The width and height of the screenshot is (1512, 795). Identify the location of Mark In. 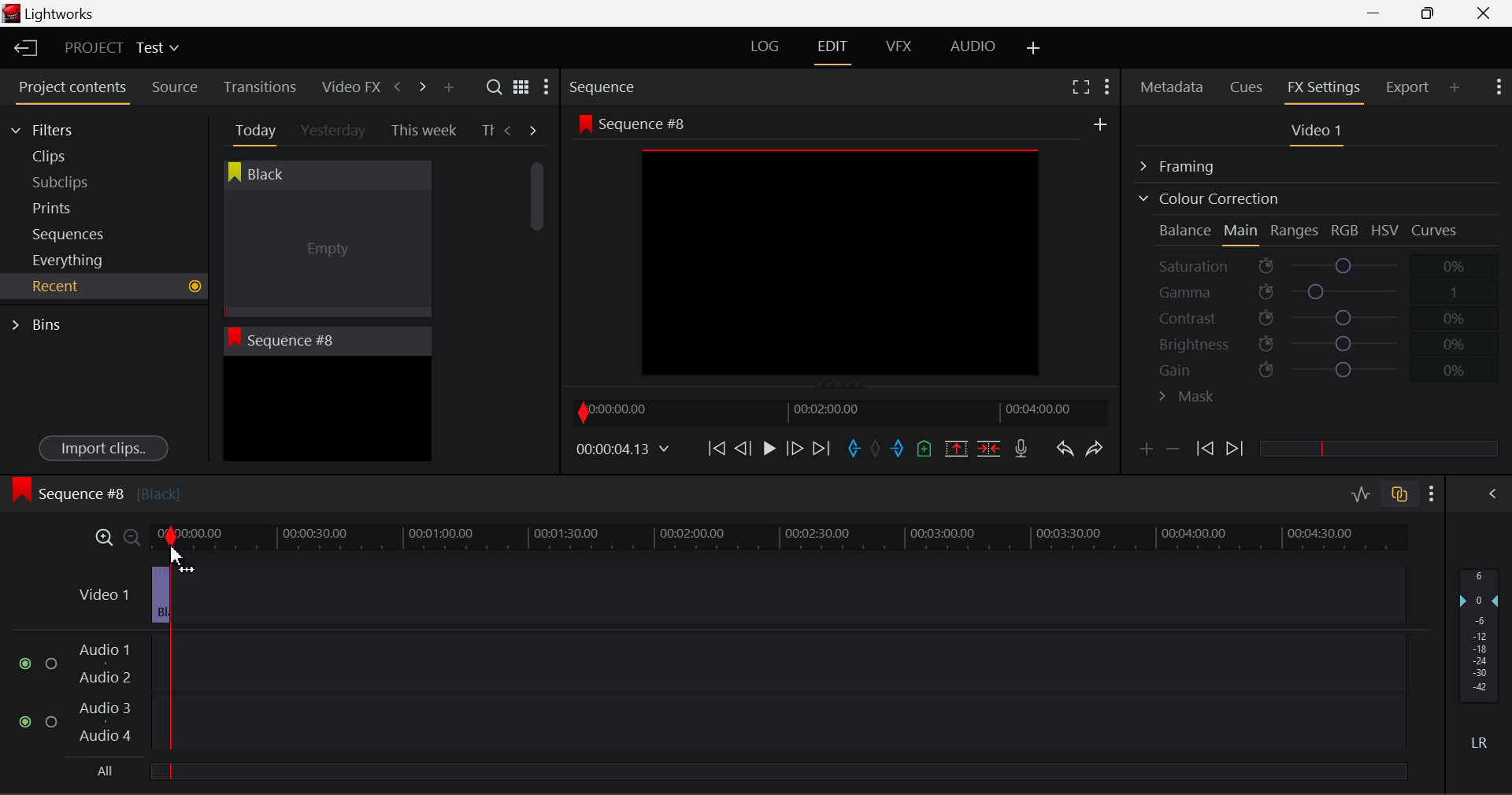
(855, 449).